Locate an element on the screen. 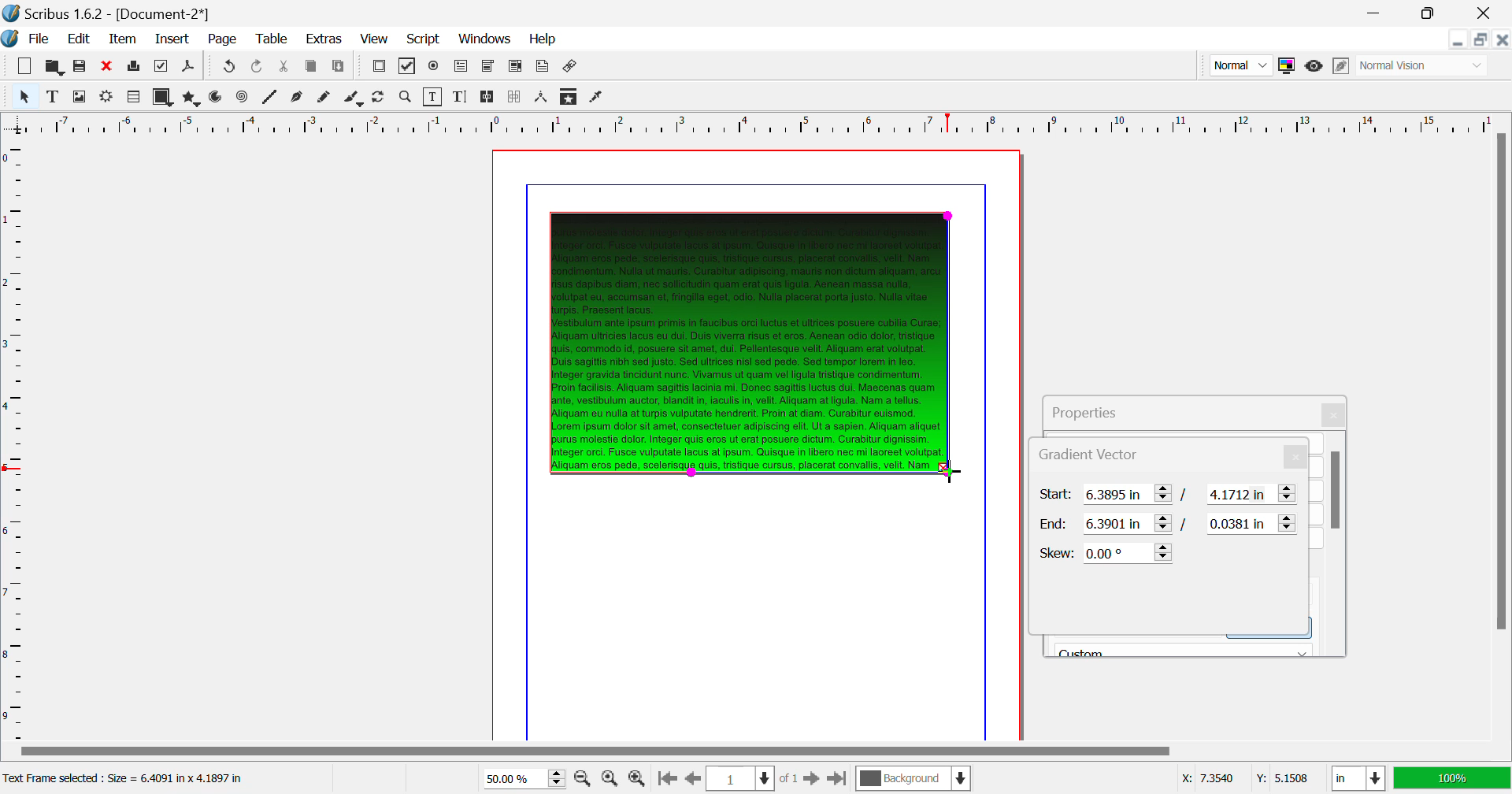  Spiral is located at coordinates (242, 98).